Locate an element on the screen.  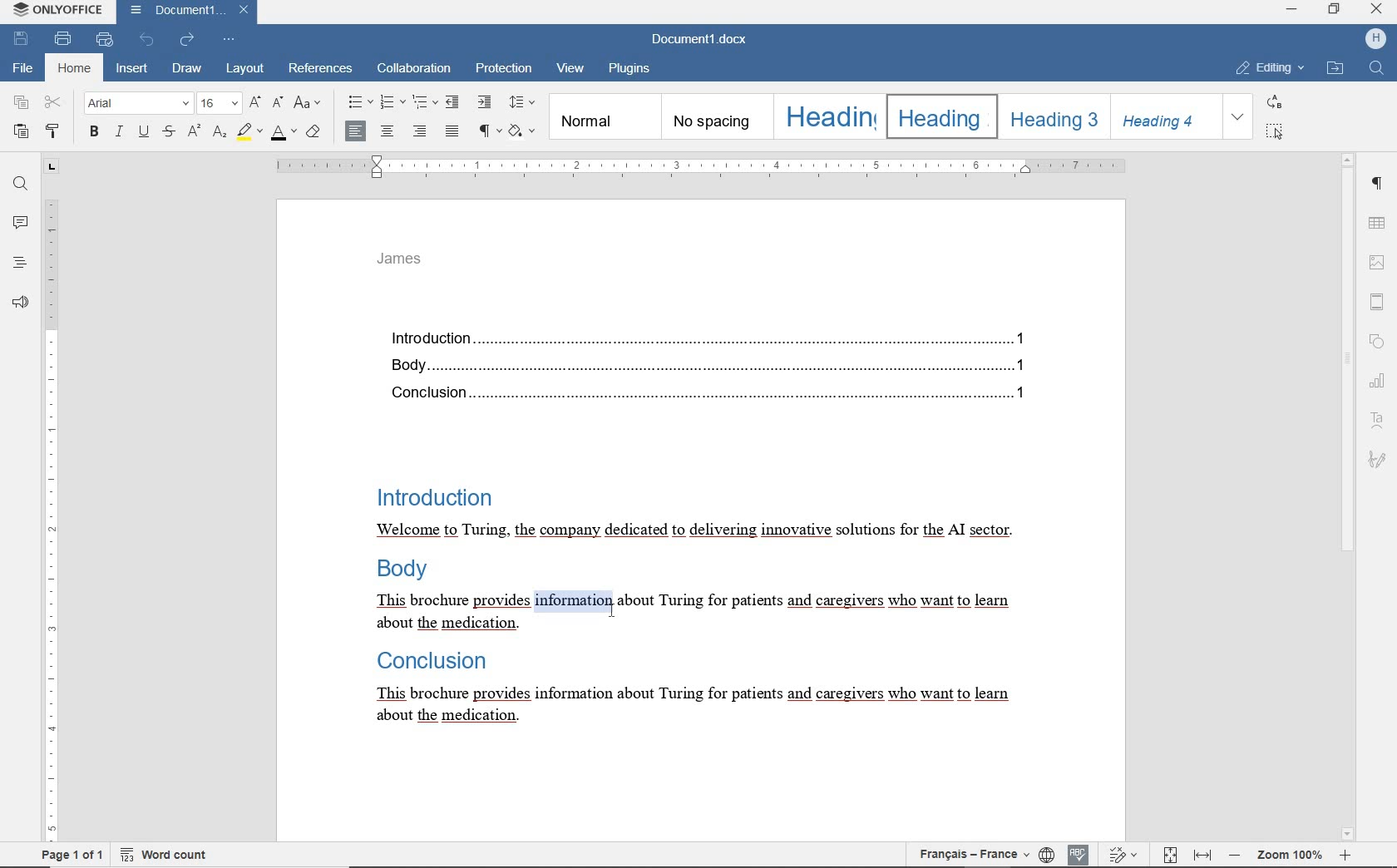
PARAGRAPH SETTINGS is located at coordinates (1379, 182).